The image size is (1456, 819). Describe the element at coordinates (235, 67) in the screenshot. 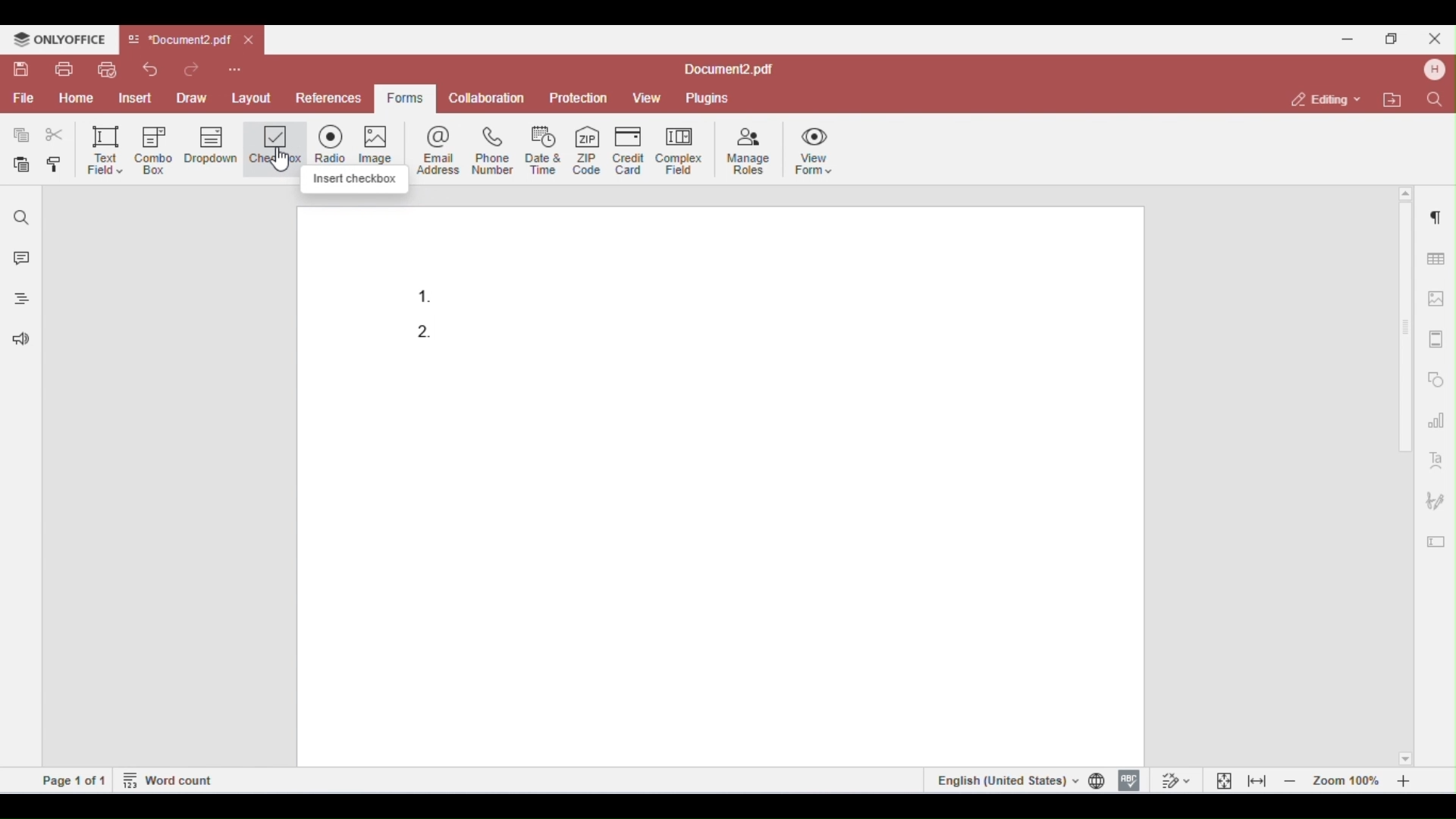

I see `quick access tool bar` at that location.